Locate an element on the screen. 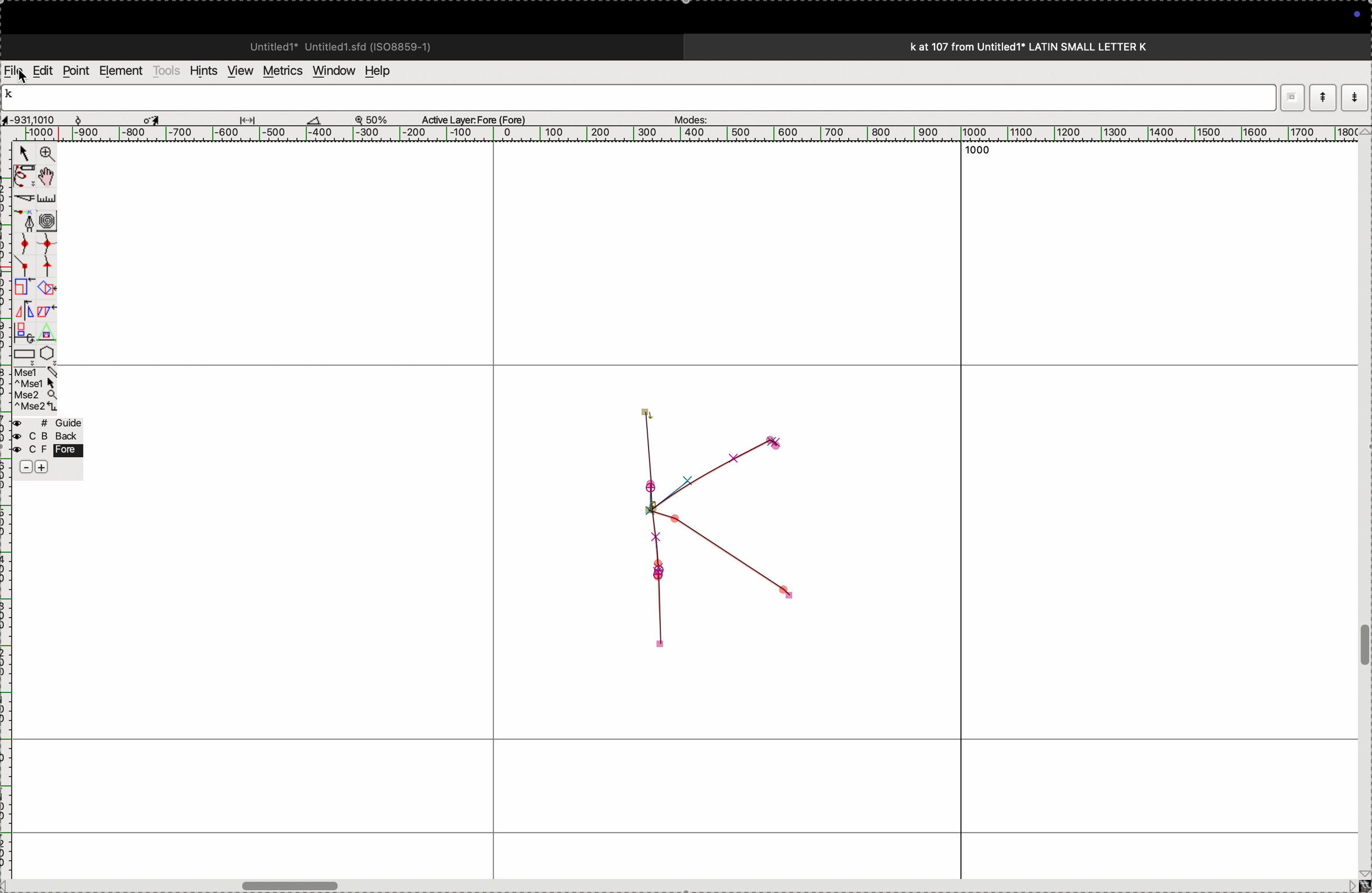  modes is located at coordinates (687, 116).